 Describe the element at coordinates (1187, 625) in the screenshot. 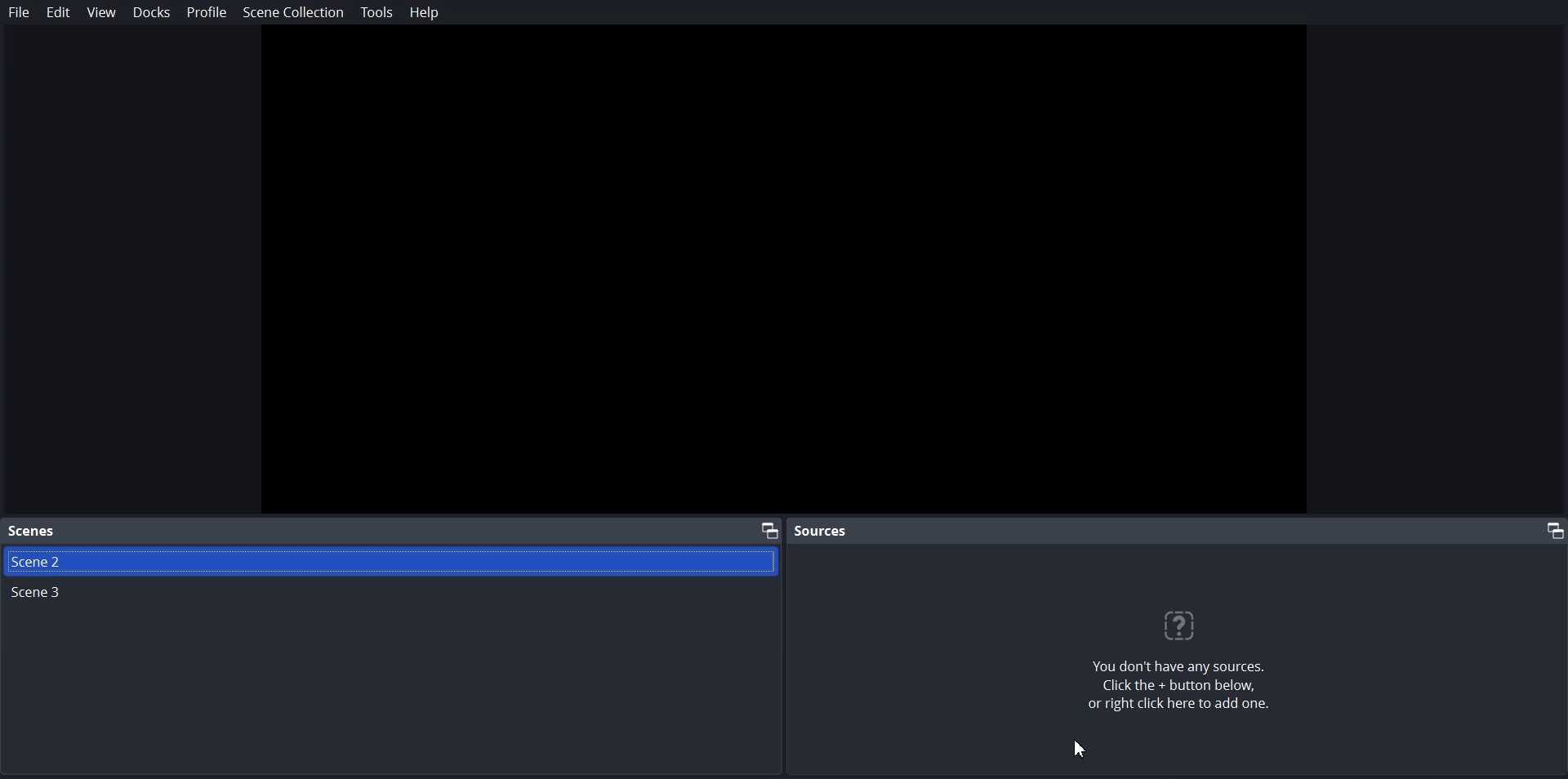

I see `visual element` at that location.